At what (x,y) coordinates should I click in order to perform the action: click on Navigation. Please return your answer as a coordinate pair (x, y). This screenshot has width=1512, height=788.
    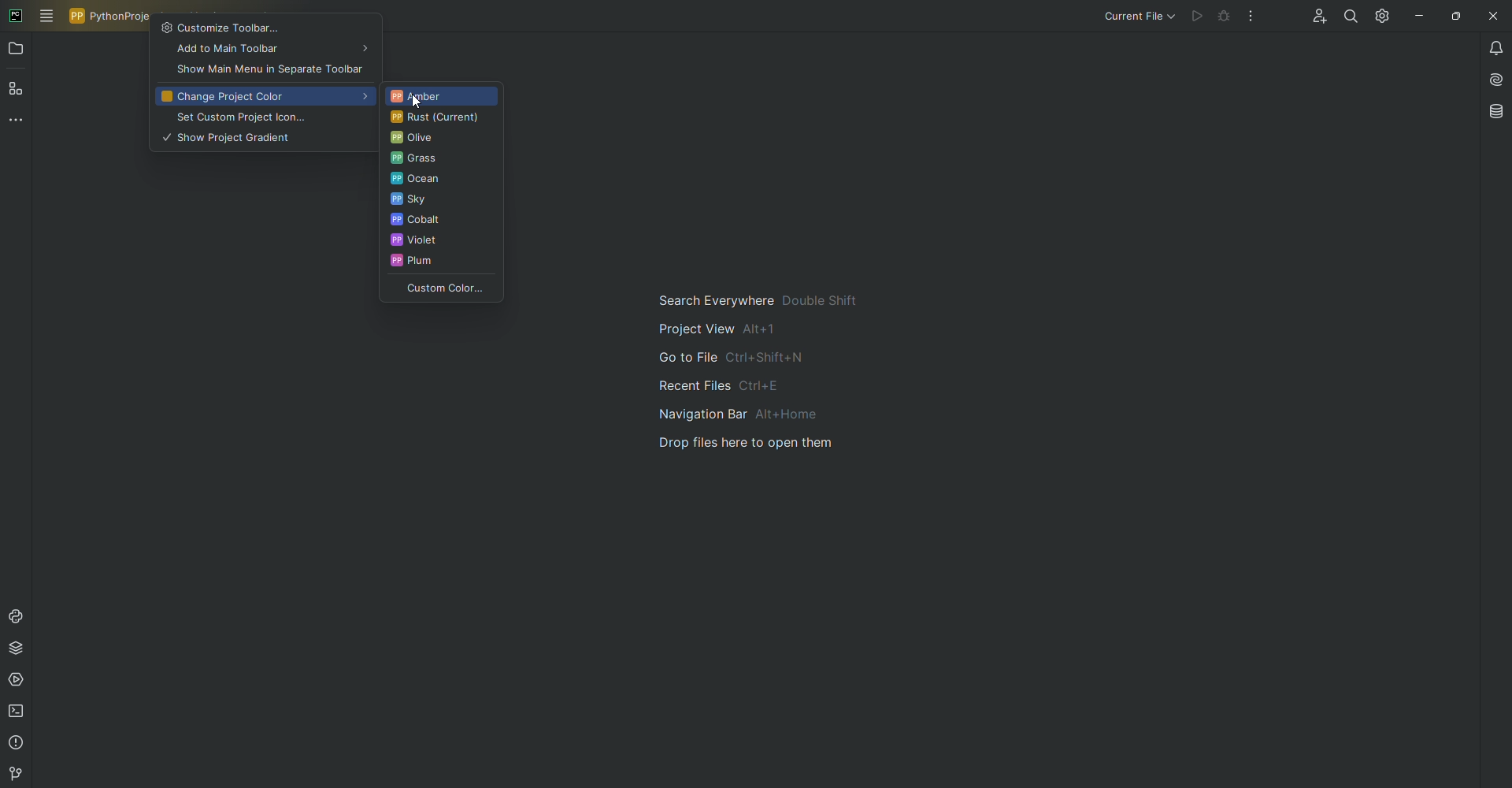
    Looking at the image, I should click on (769, 372).